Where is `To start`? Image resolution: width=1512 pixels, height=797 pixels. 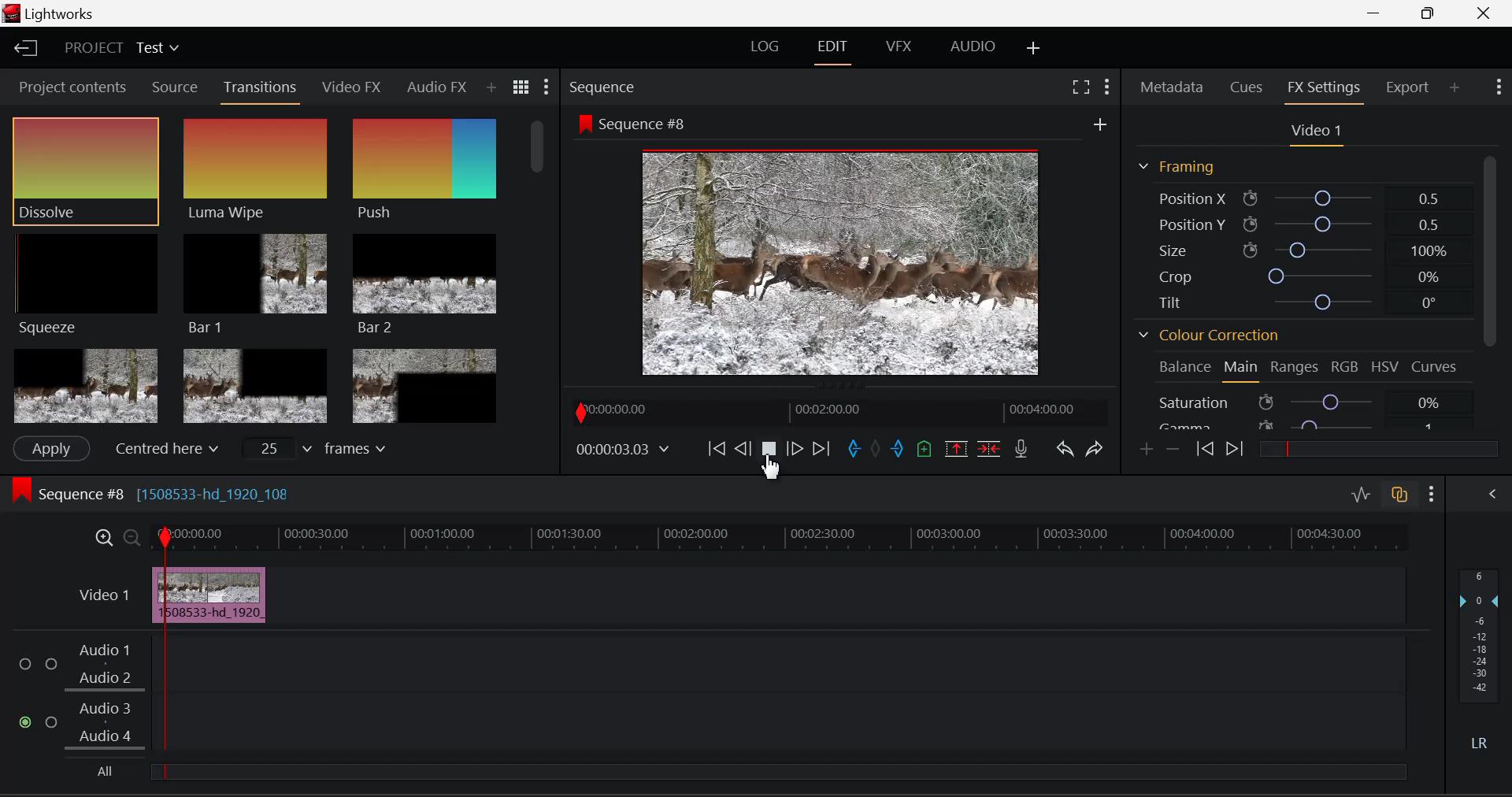
To start is located at coordinates (717, 450).